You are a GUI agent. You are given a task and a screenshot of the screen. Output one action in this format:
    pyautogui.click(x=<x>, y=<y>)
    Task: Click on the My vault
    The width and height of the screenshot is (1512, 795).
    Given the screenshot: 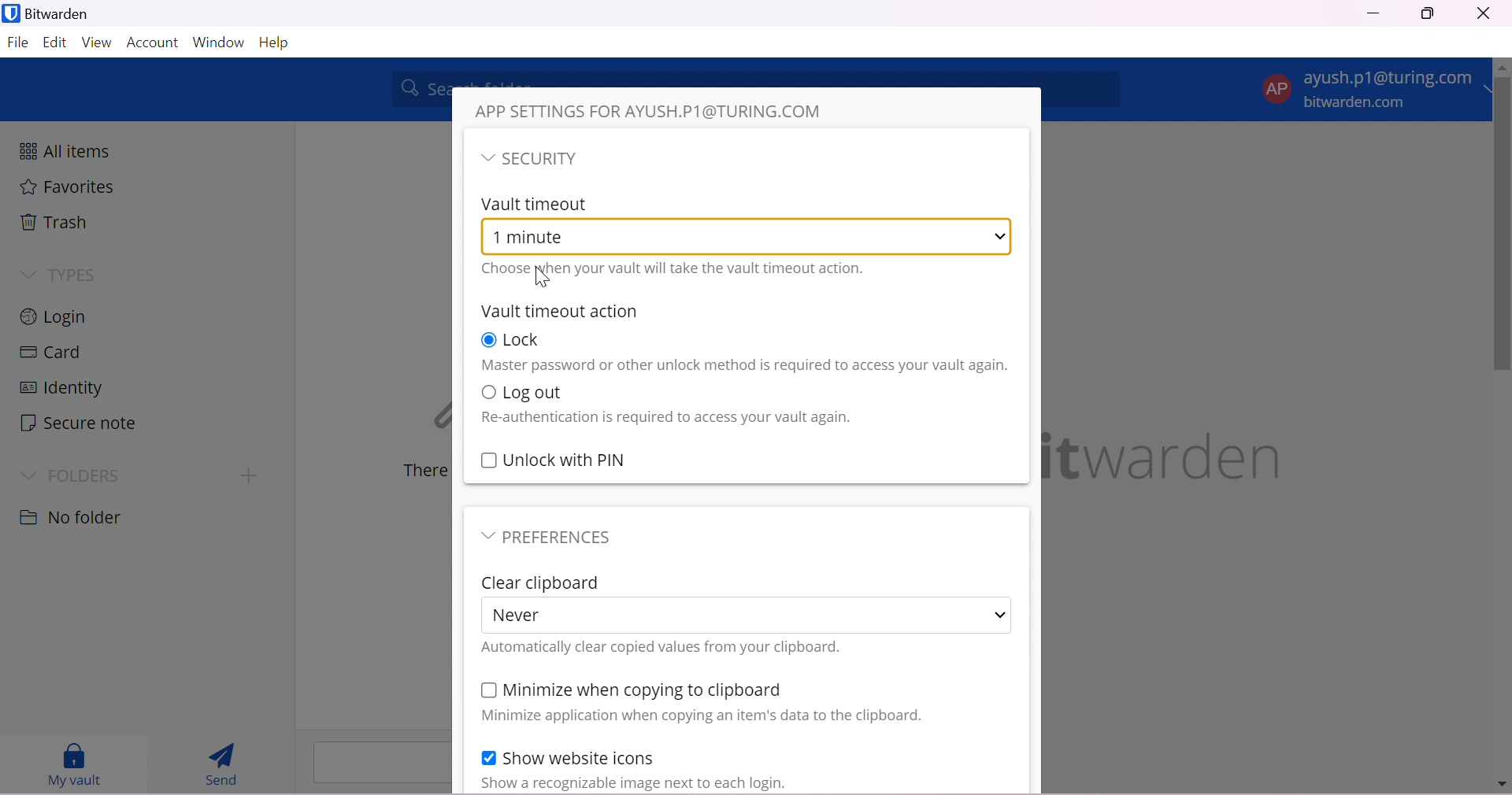 What is the action you would take?
    pyautogui.click(x=78, y=765)
    